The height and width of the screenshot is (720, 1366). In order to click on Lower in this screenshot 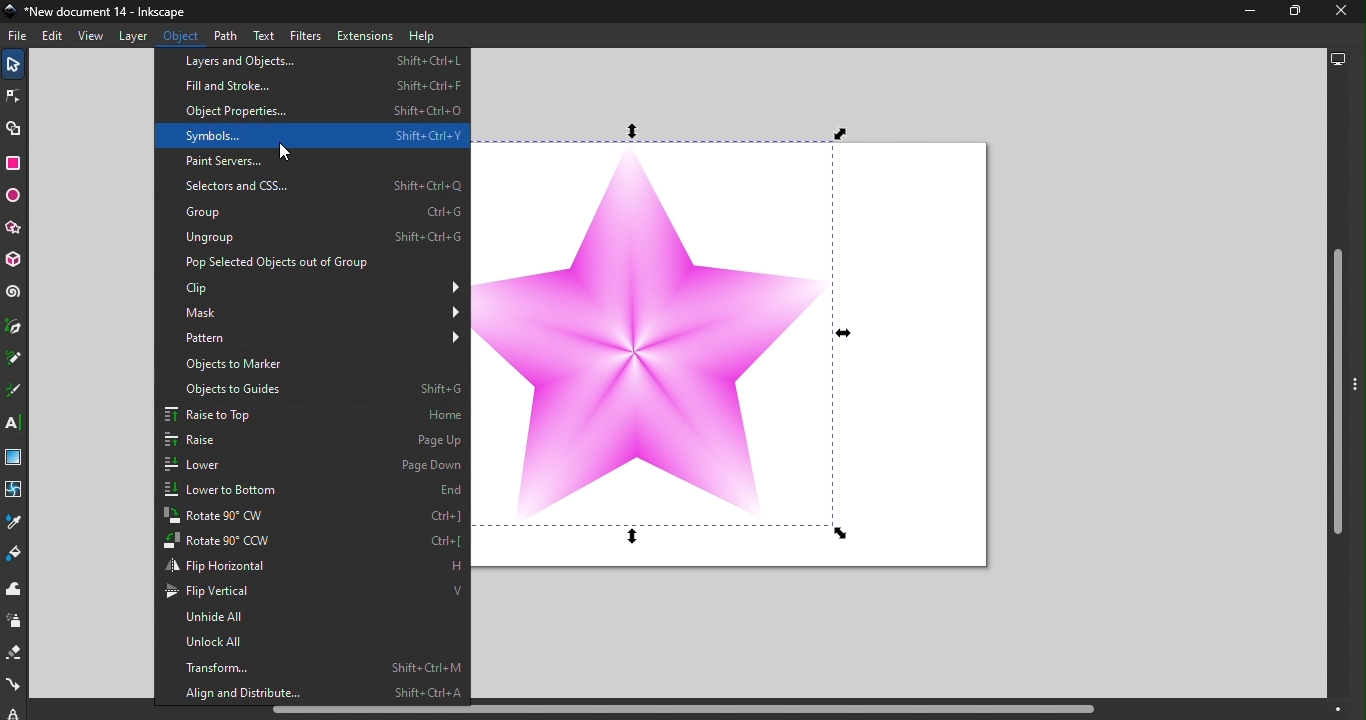, I will do `click(312, 464)`.